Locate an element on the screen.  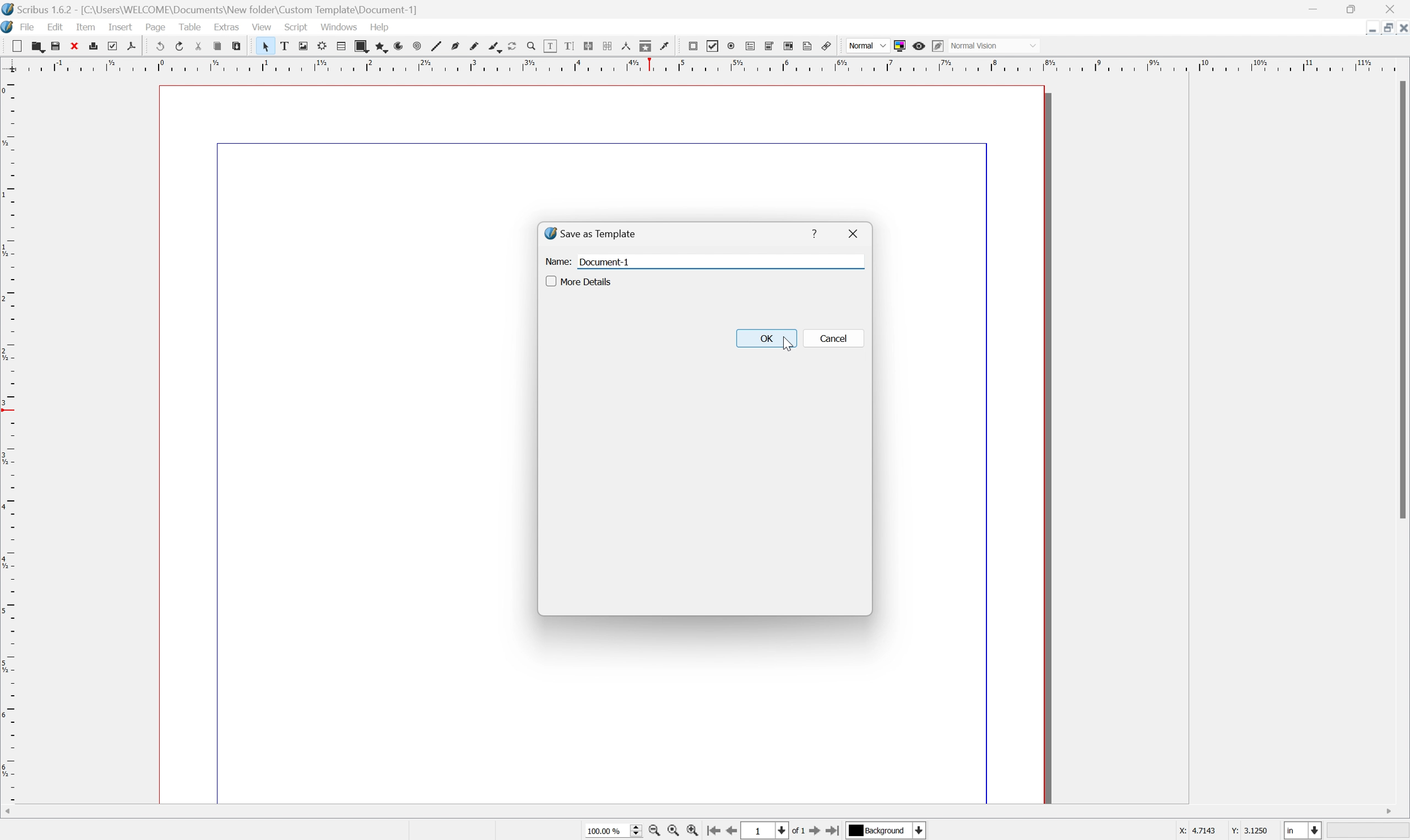
insert is located at coordinates (121, 28).